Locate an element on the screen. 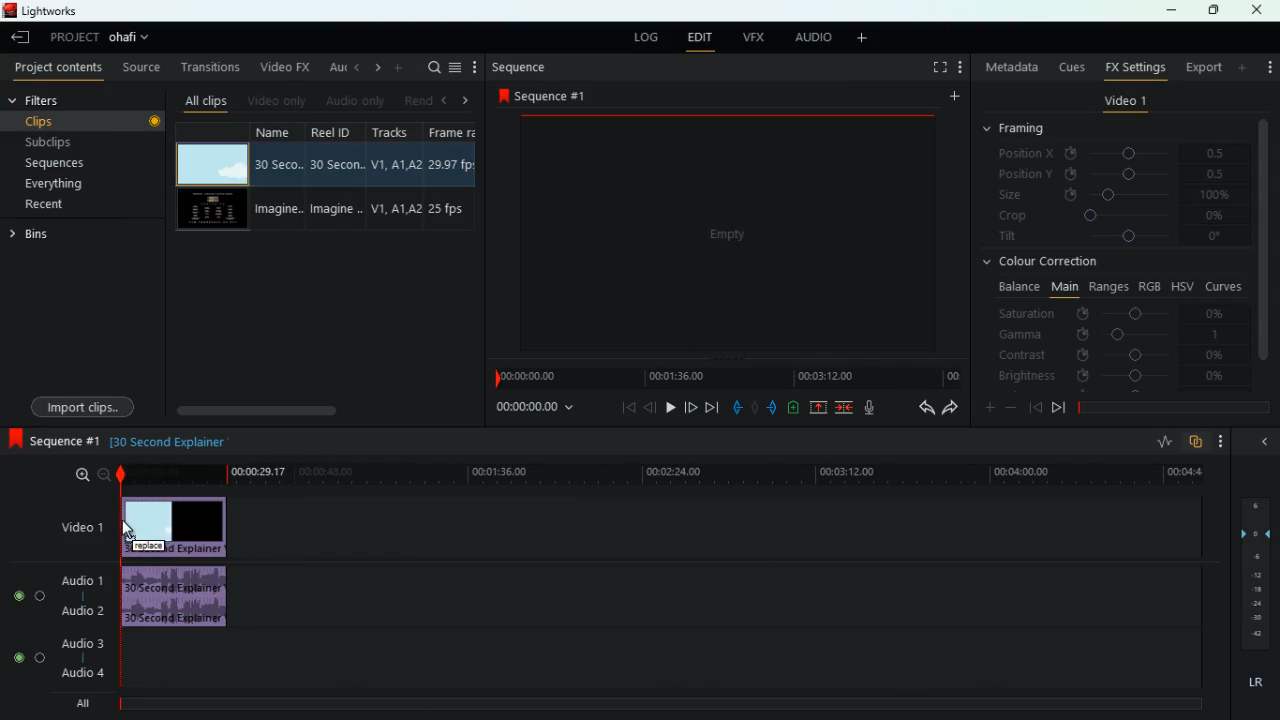 This screenshot has width=1280, height=720. forward is located at coordinates (950, 409).